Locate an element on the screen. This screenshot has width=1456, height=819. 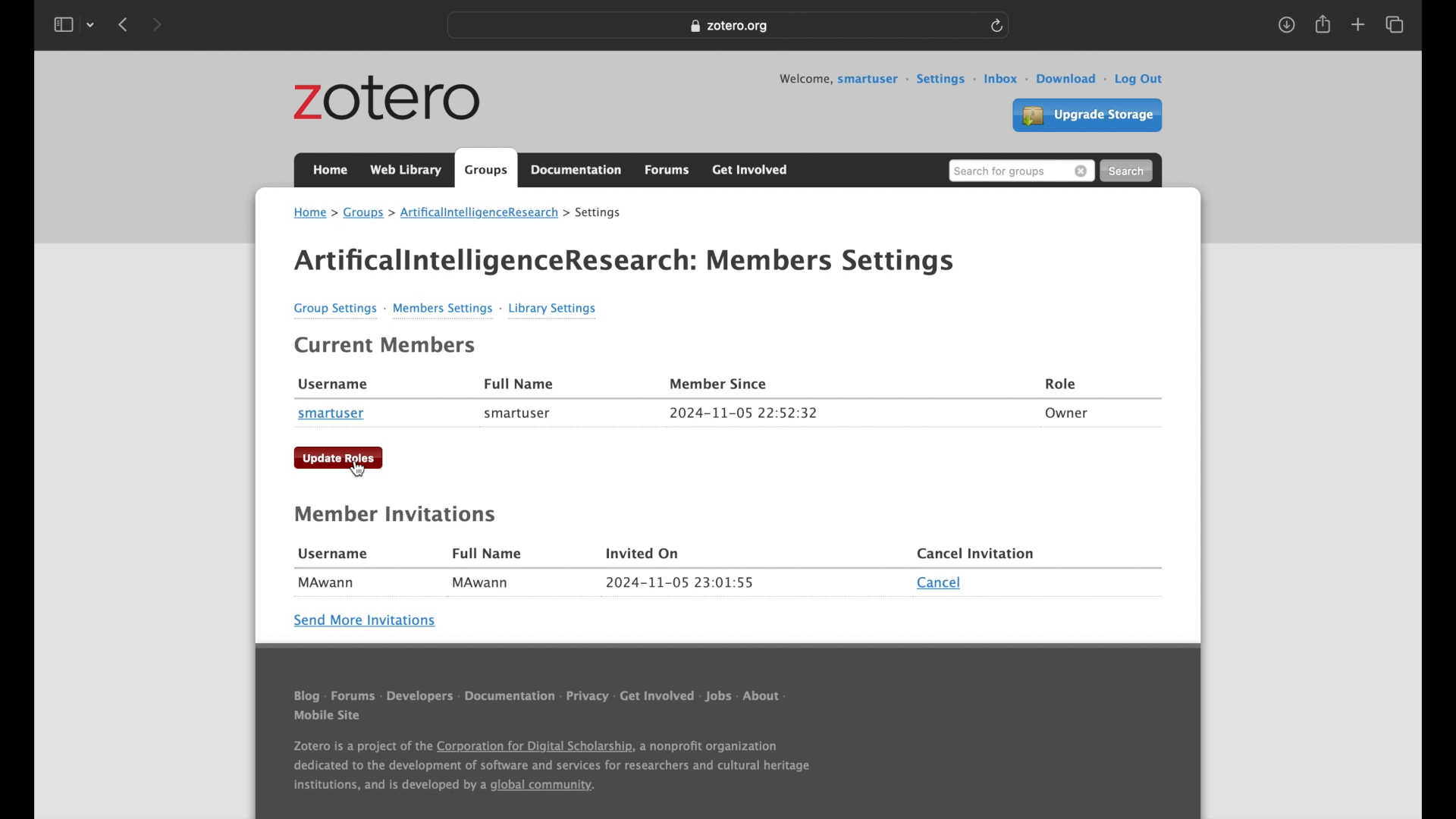
MAwann is located at coordinates (325, 584).